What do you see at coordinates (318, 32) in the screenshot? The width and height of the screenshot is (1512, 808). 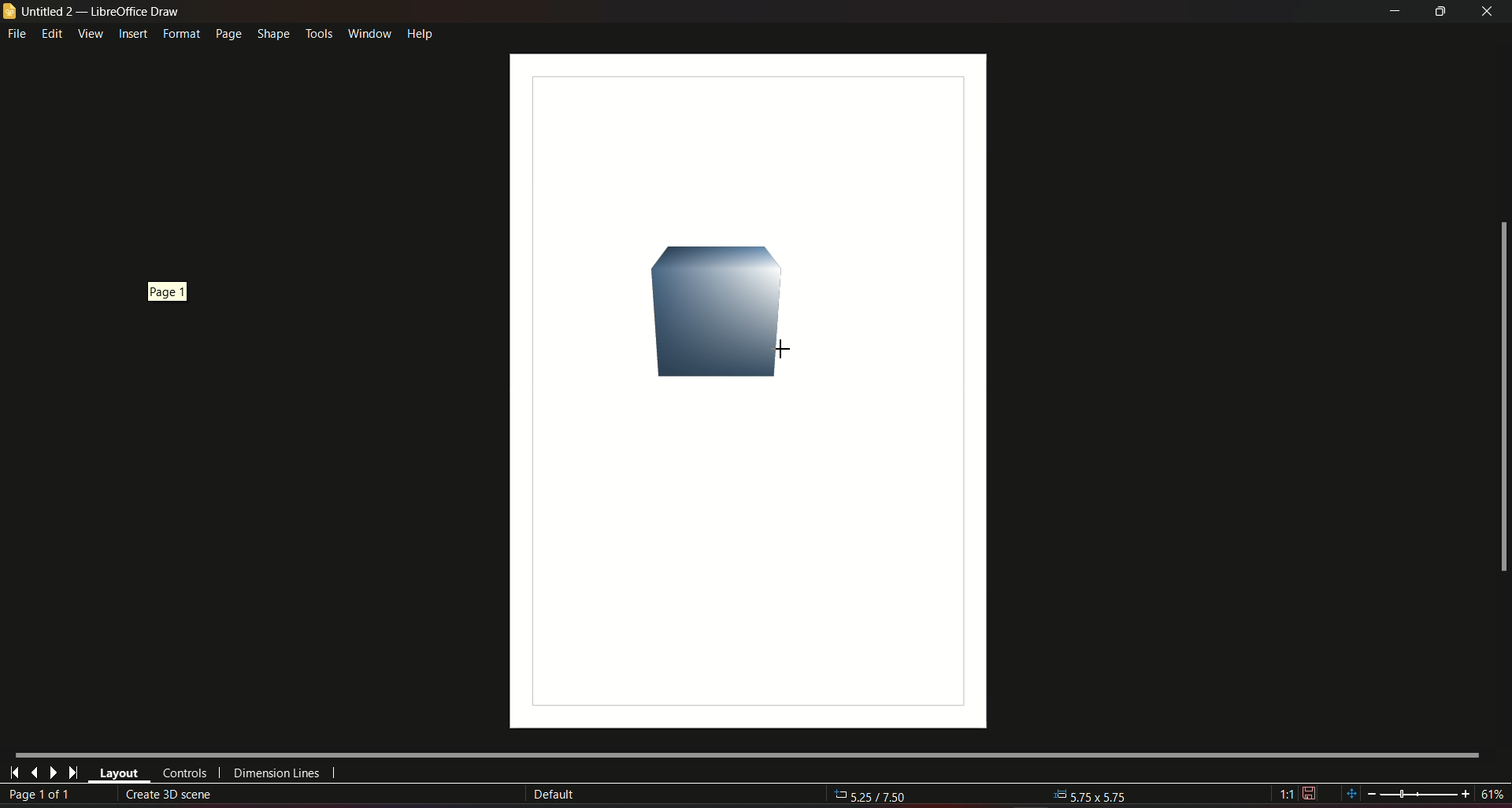 I see `tools` at bounding box center [318, 32].